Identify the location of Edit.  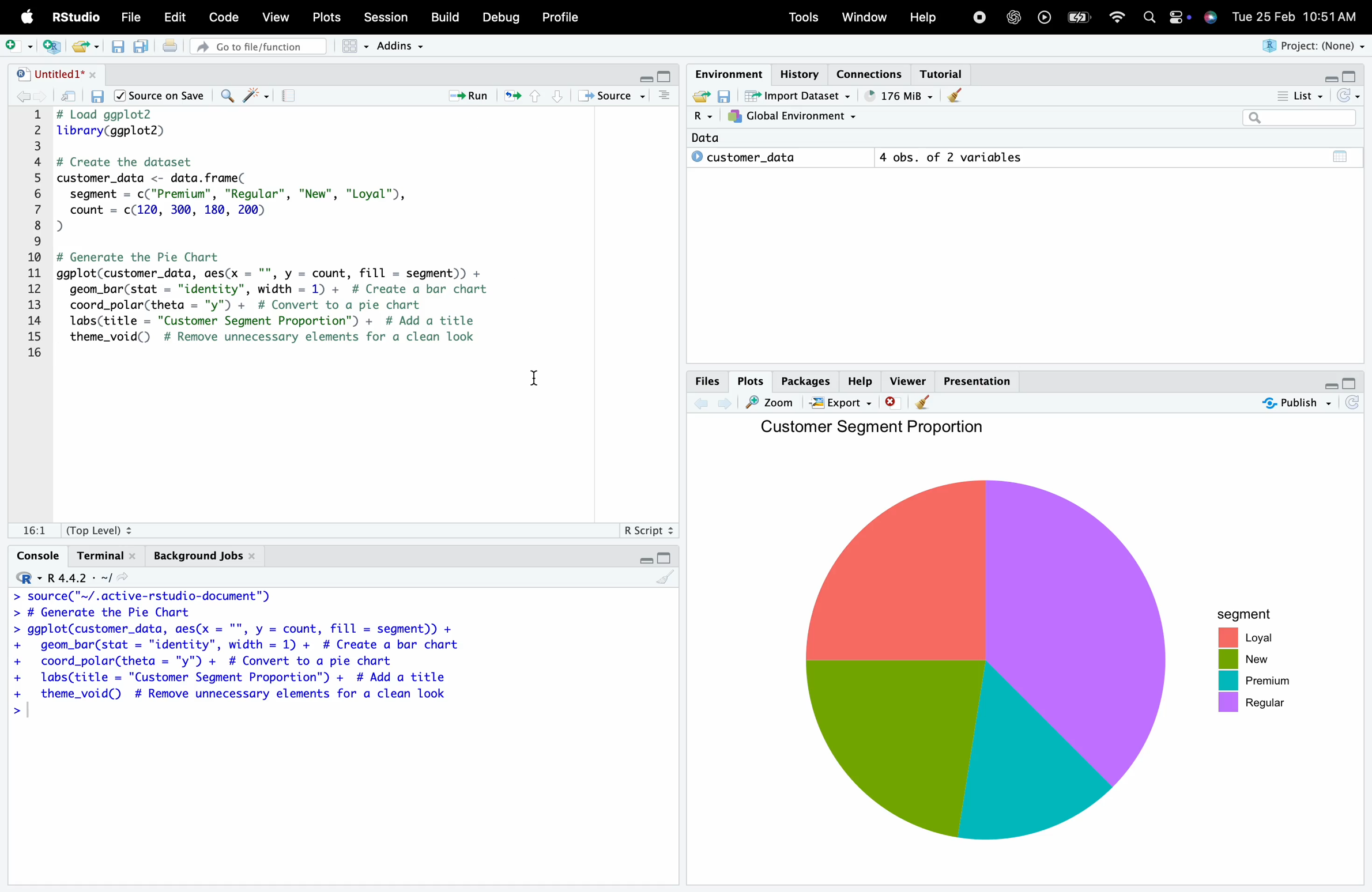
(177, 18).